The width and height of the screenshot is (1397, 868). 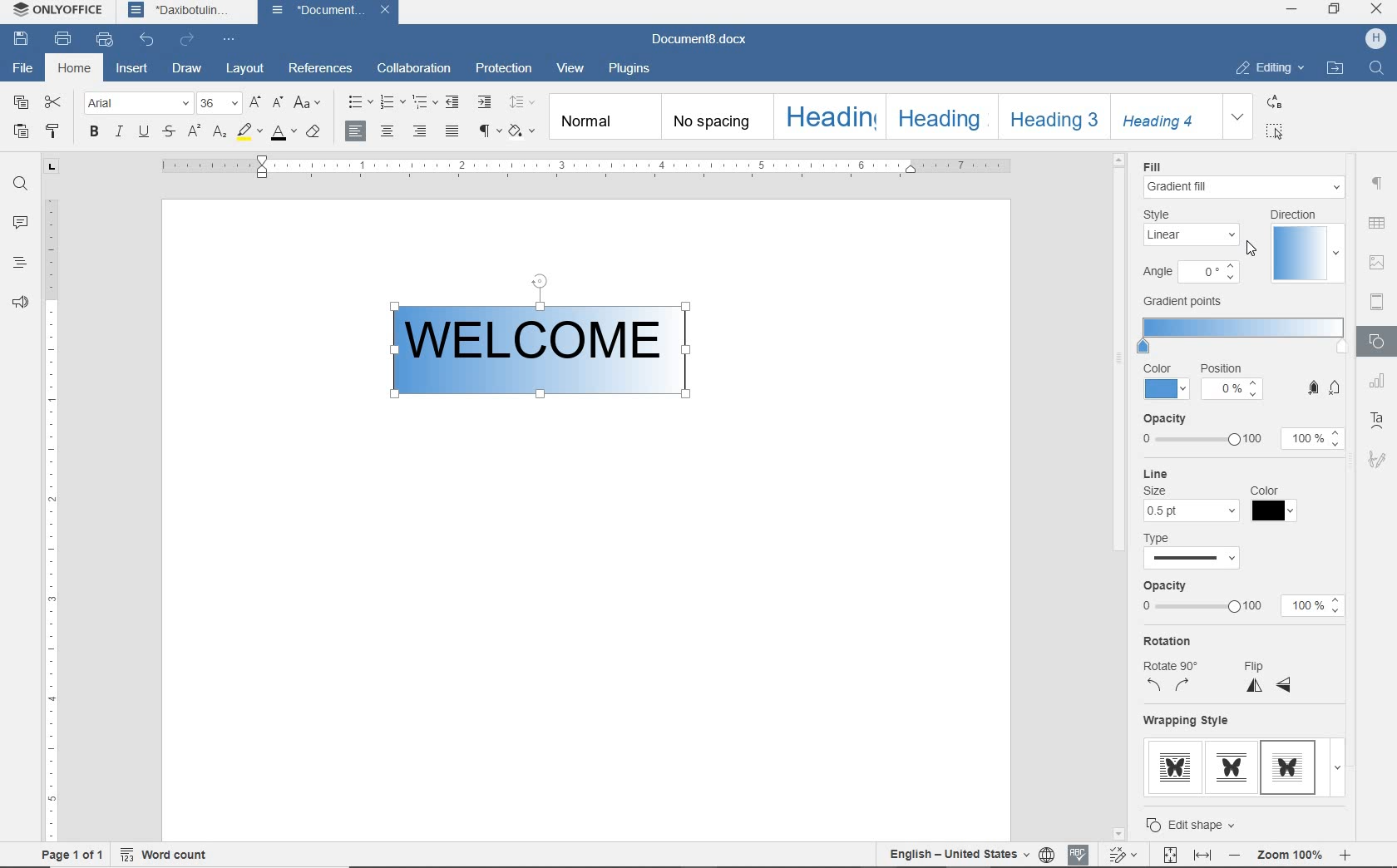 What do you see at coordinates (1162, 116) in the screenshot?
I see `HEADING 4` at bounding box center [1162, 116].